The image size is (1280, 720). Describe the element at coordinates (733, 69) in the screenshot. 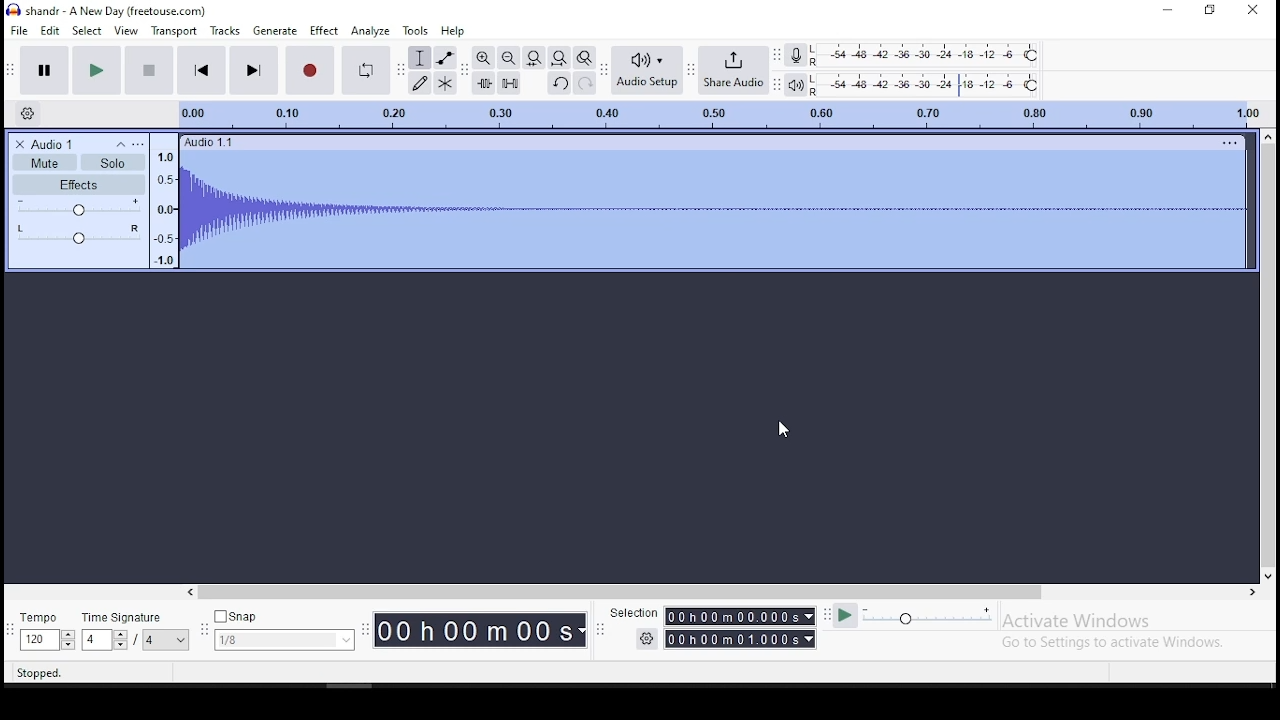

I see `share audio` at that location.